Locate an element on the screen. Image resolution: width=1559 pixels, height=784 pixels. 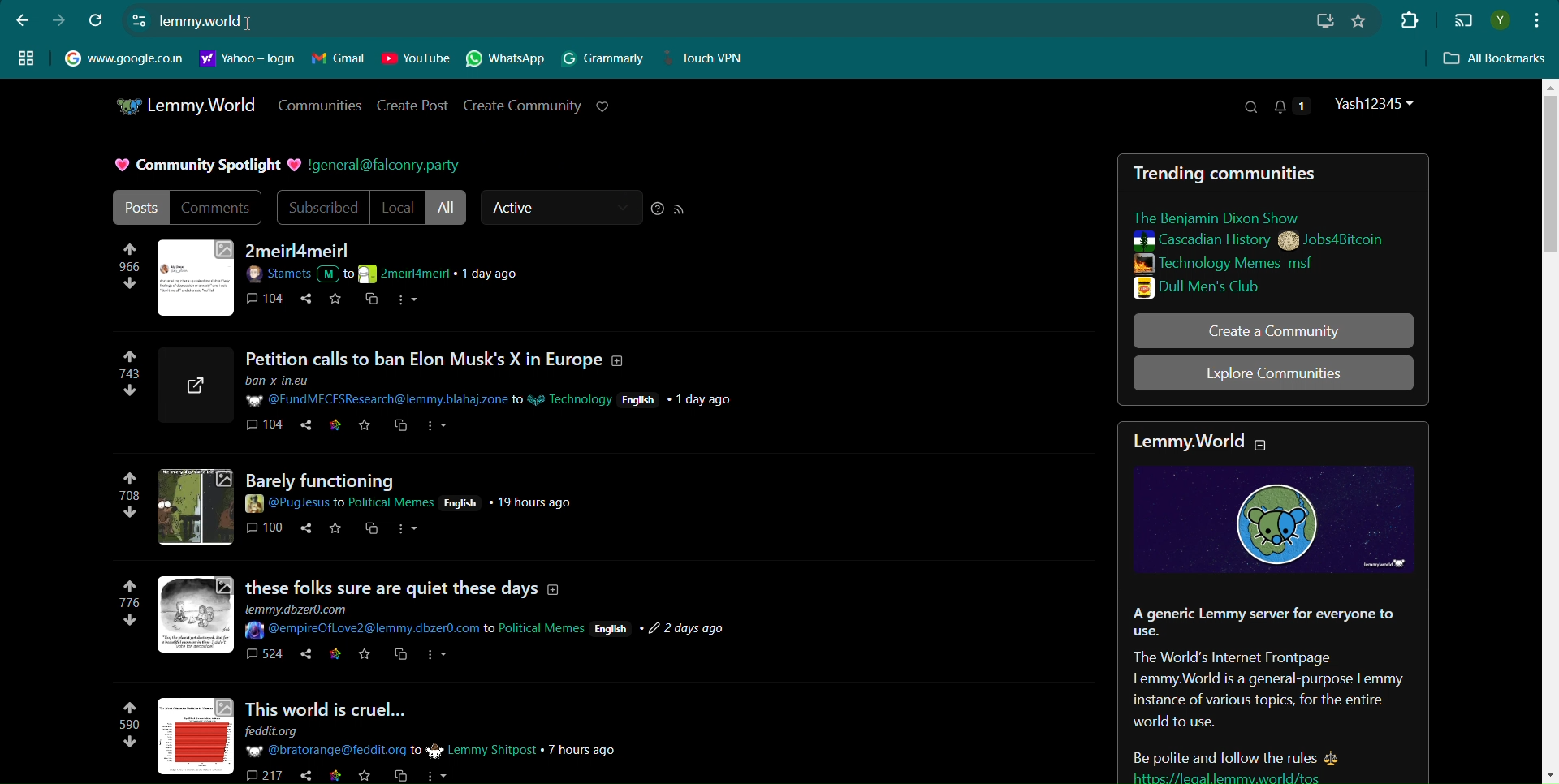
All is located at coordinates (448, 208).